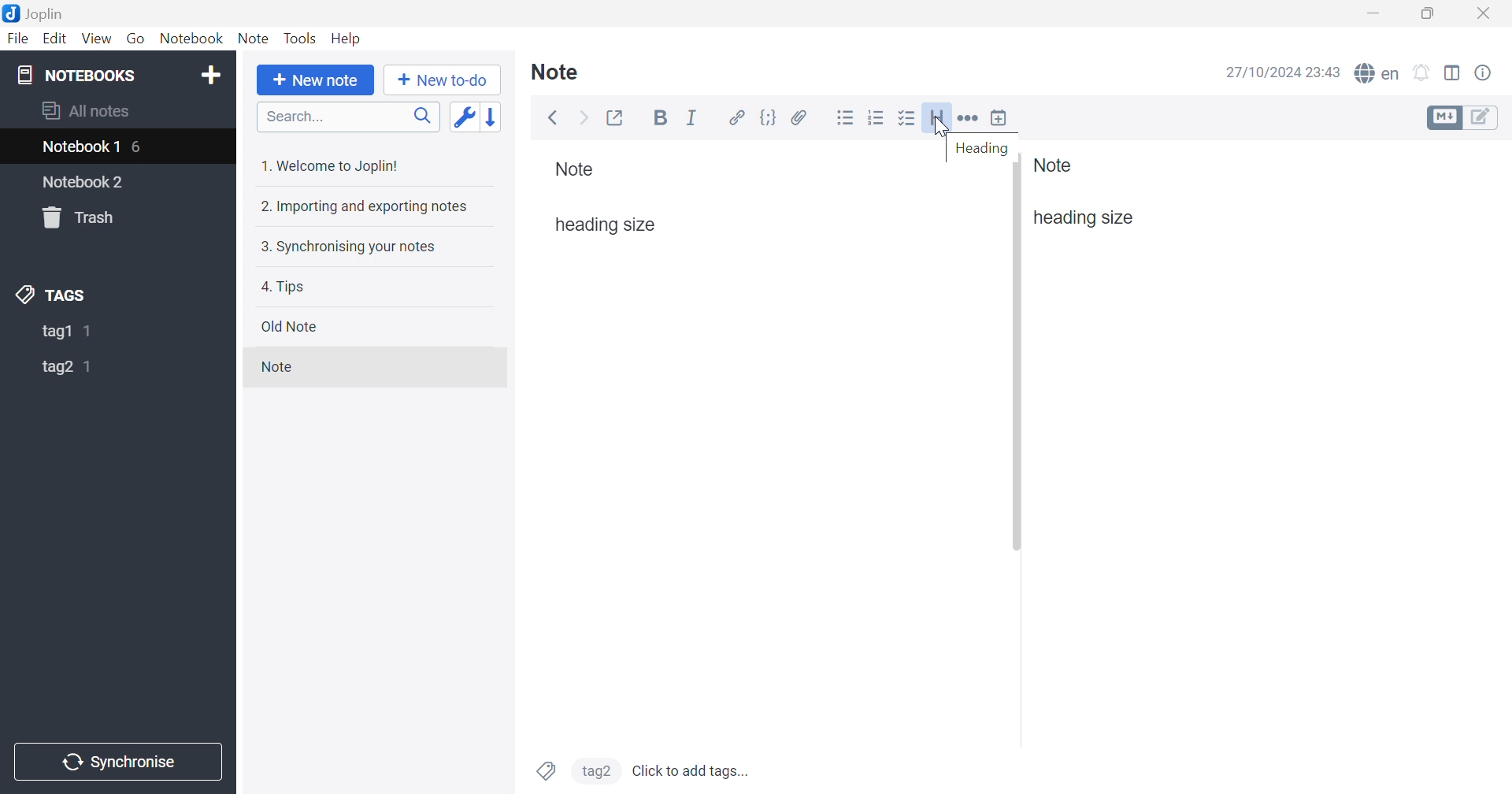  Describe the element at coordinates (1377, 75) in the screenshot. I see `Spell checker` at that location.